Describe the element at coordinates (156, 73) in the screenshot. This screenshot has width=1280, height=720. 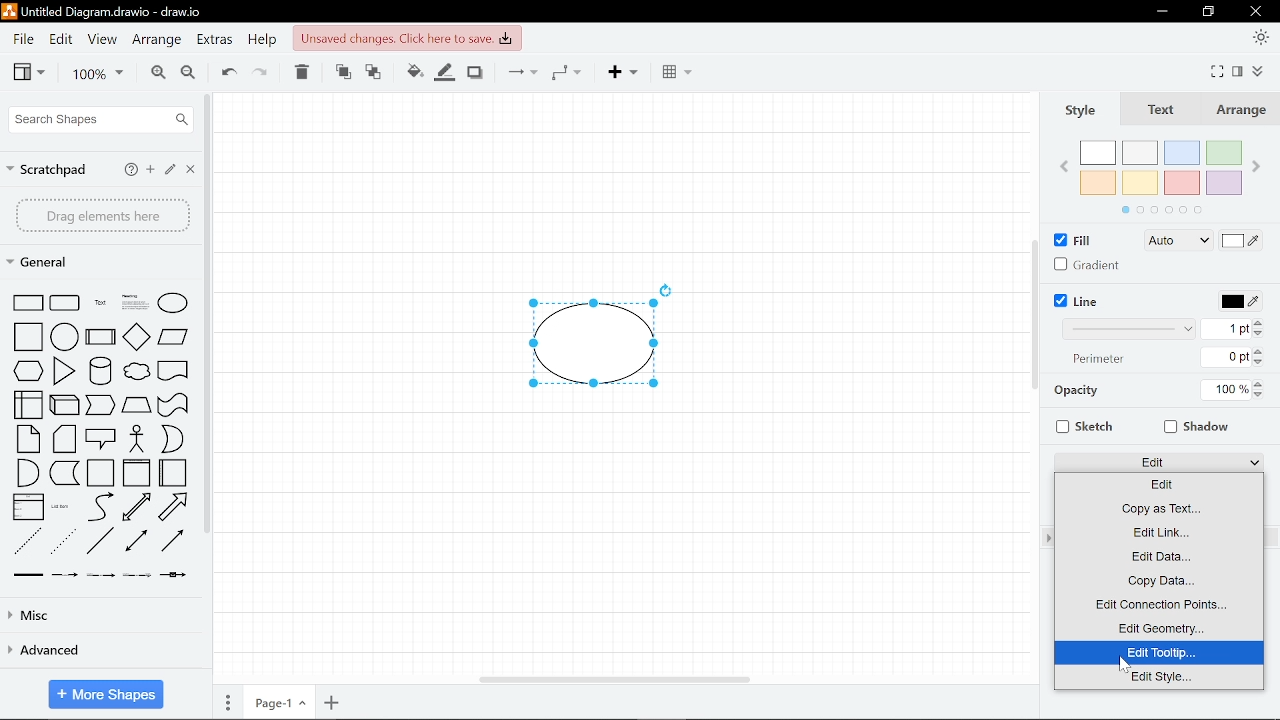
I see `Zoom in` at that location.